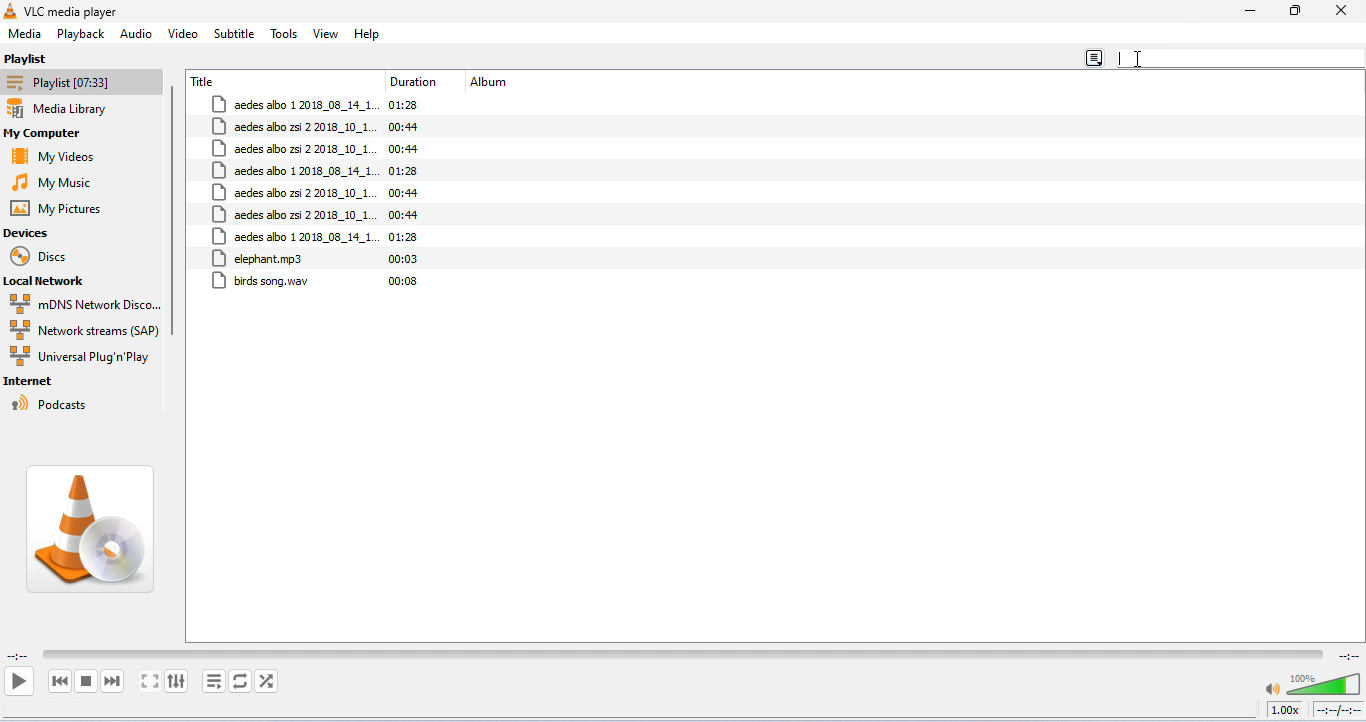 The height and width of the screenshot is (722, 1366). I want to click on VLC media player, so click(74, 11).